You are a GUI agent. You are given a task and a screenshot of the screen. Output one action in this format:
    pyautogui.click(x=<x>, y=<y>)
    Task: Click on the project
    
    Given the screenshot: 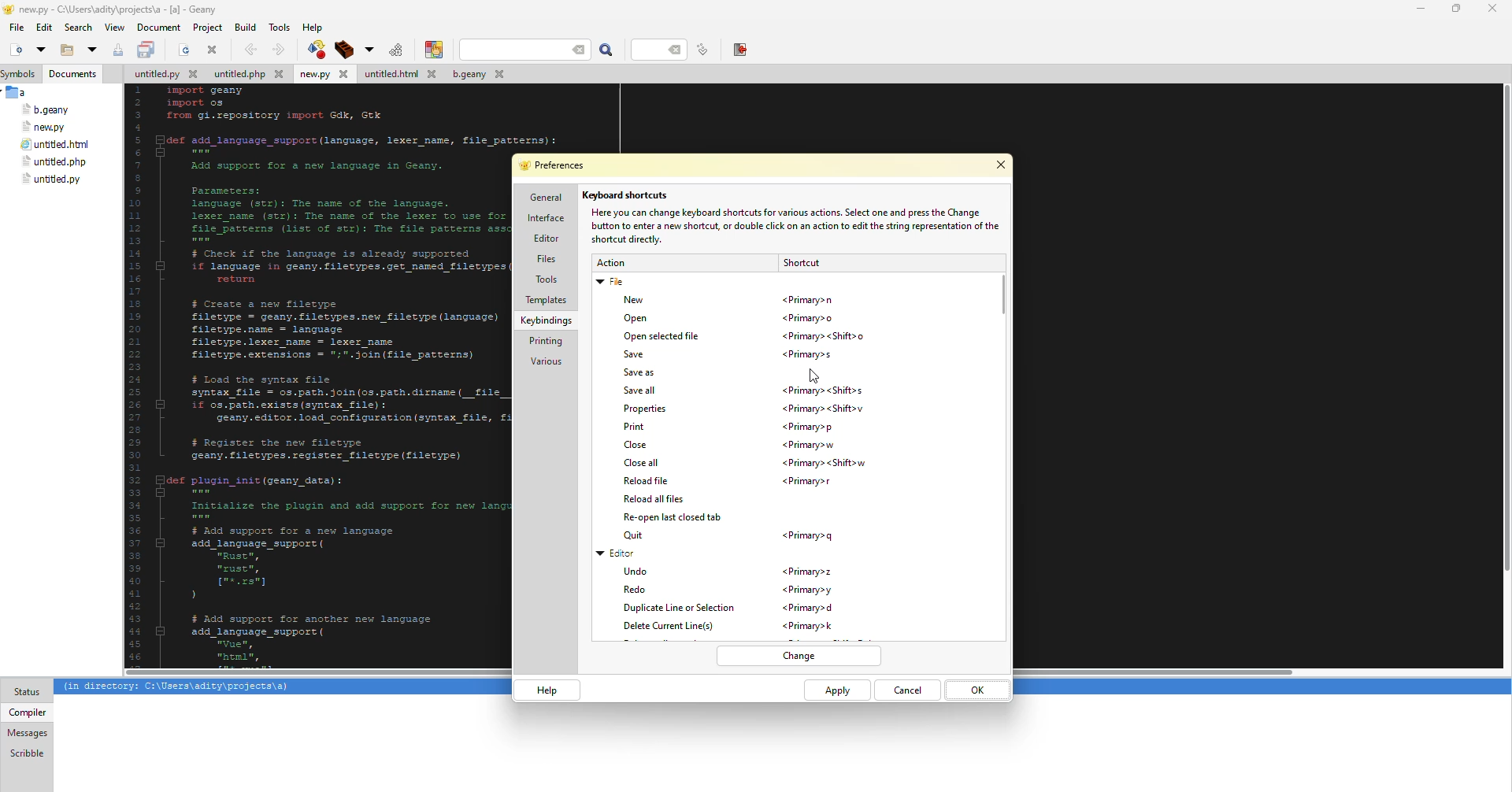 What is the action you would take?
    pyautogui.click(x=207, y=28)
    